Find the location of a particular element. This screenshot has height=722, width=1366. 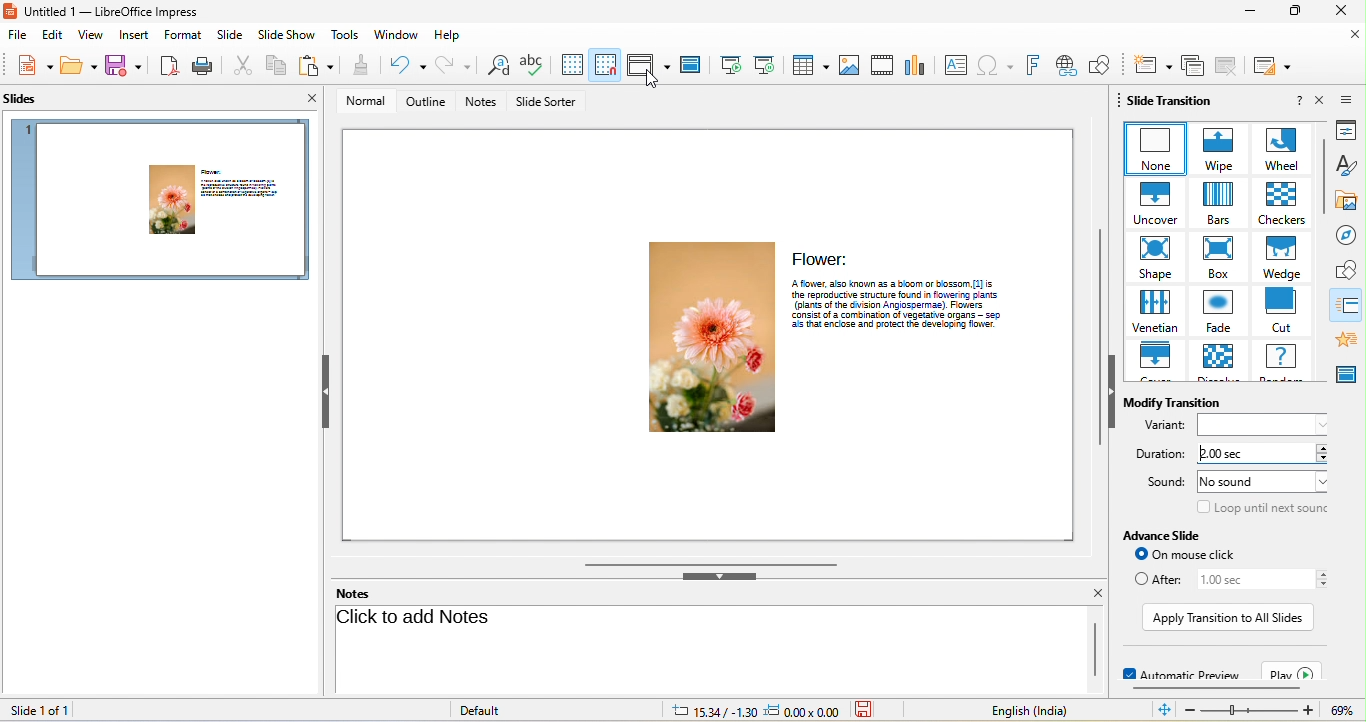

video/audio is located at coordinates (882, 65).